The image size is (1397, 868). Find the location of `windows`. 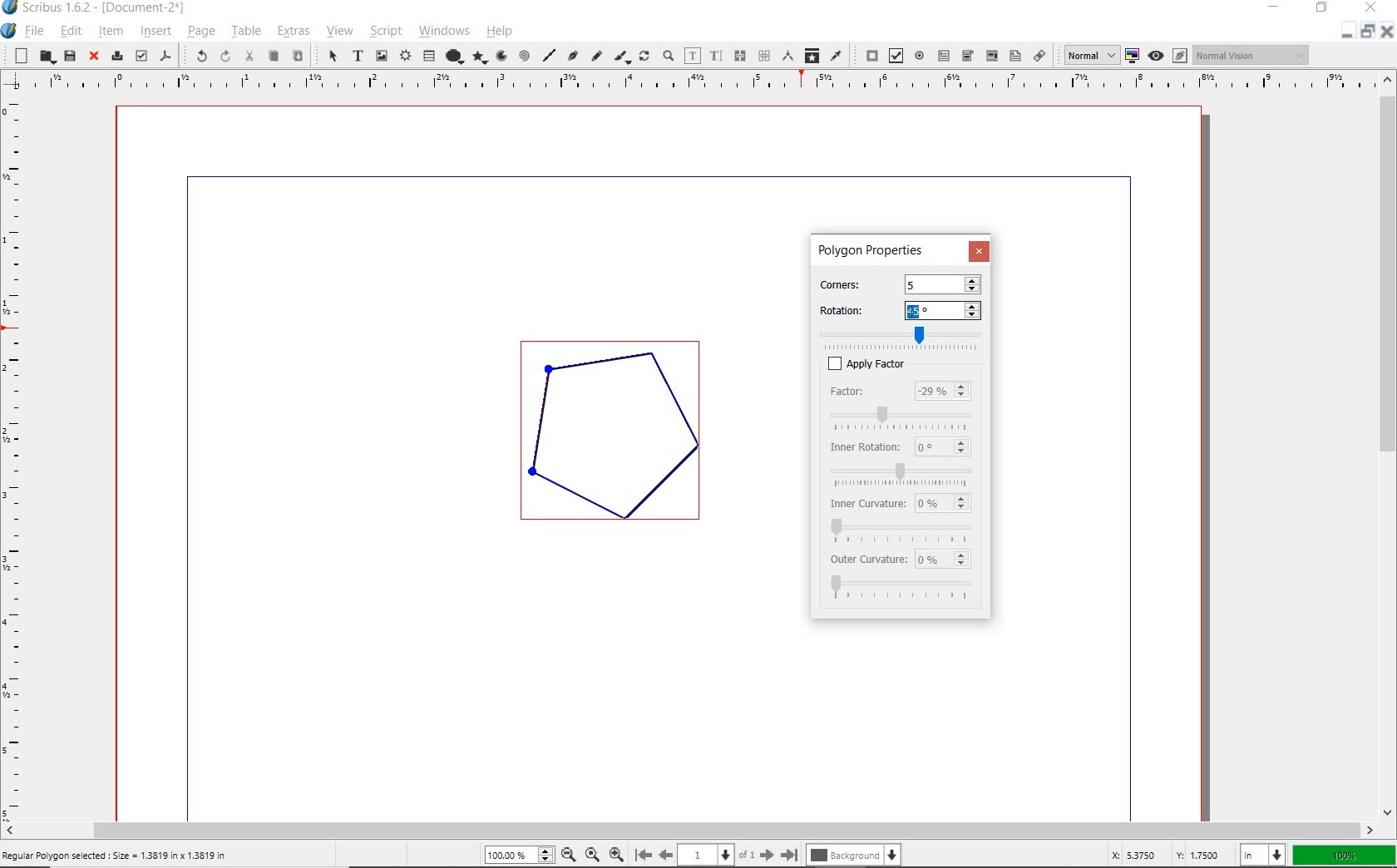

windows is located at coordinates (445, 32).